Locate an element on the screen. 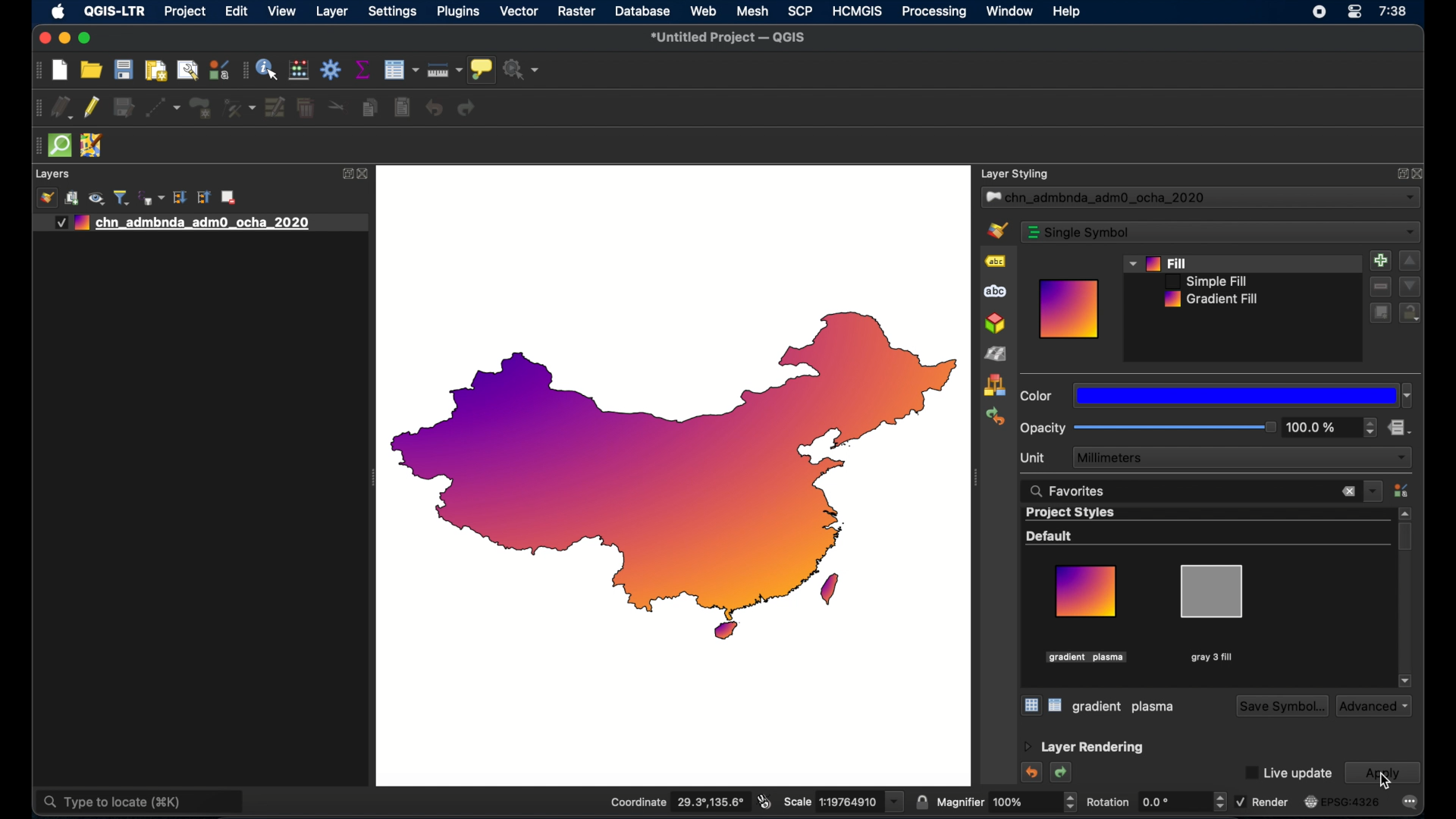 The image size is (1456, 819). HCMGIS is located at coordinates (858, 11).